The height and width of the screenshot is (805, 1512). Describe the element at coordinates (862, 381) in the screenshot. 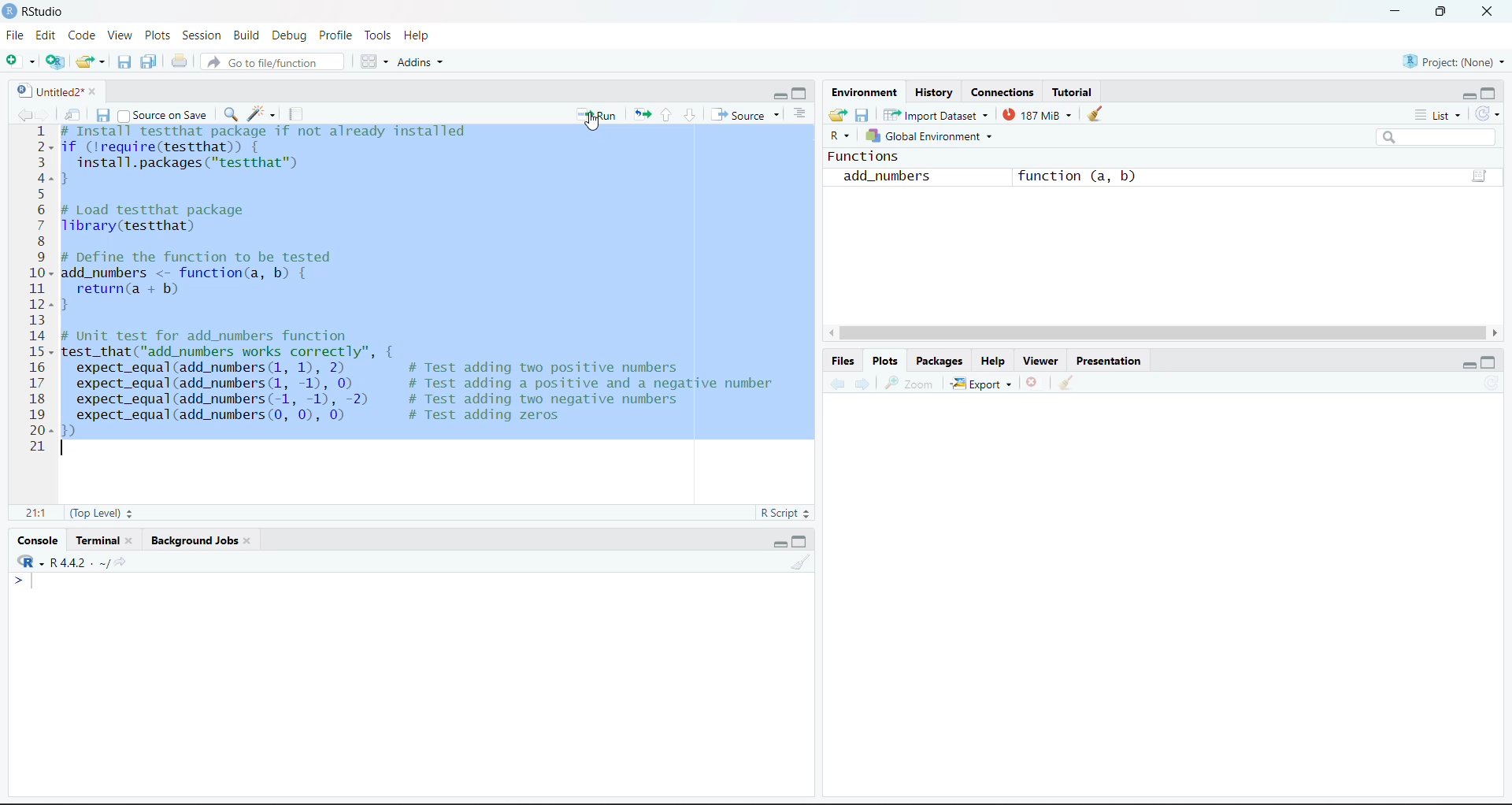

I see `next` at that location.